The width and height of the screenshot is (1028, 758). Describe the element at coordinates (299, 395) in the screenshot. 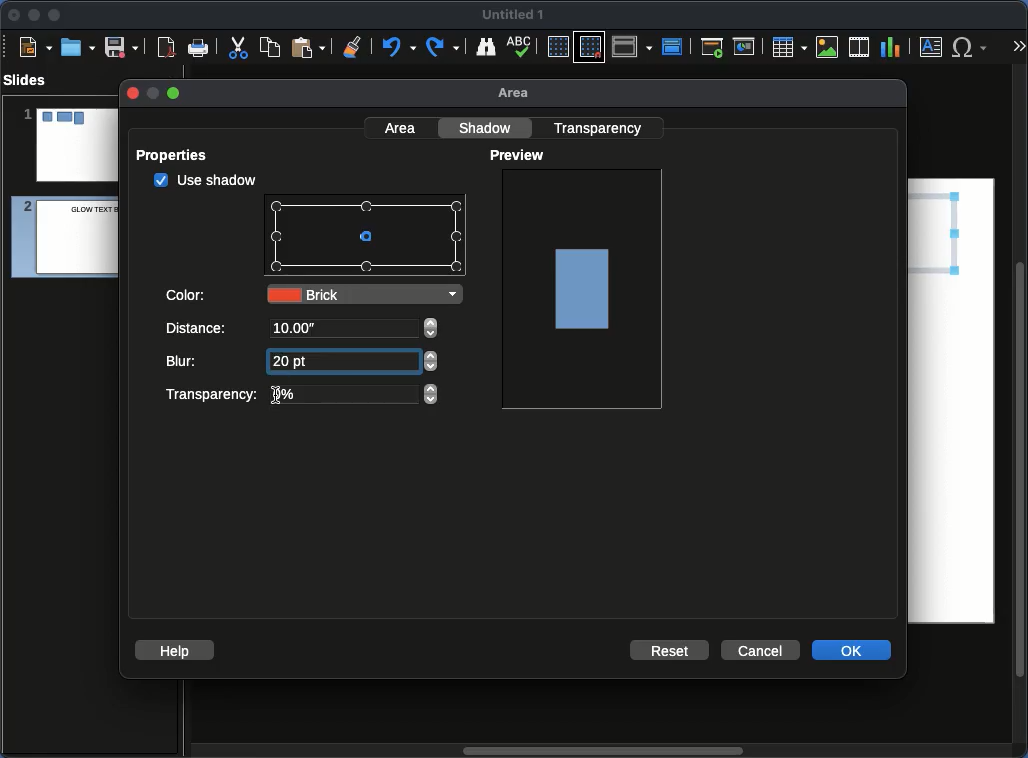

I see `Transparency` at that location.